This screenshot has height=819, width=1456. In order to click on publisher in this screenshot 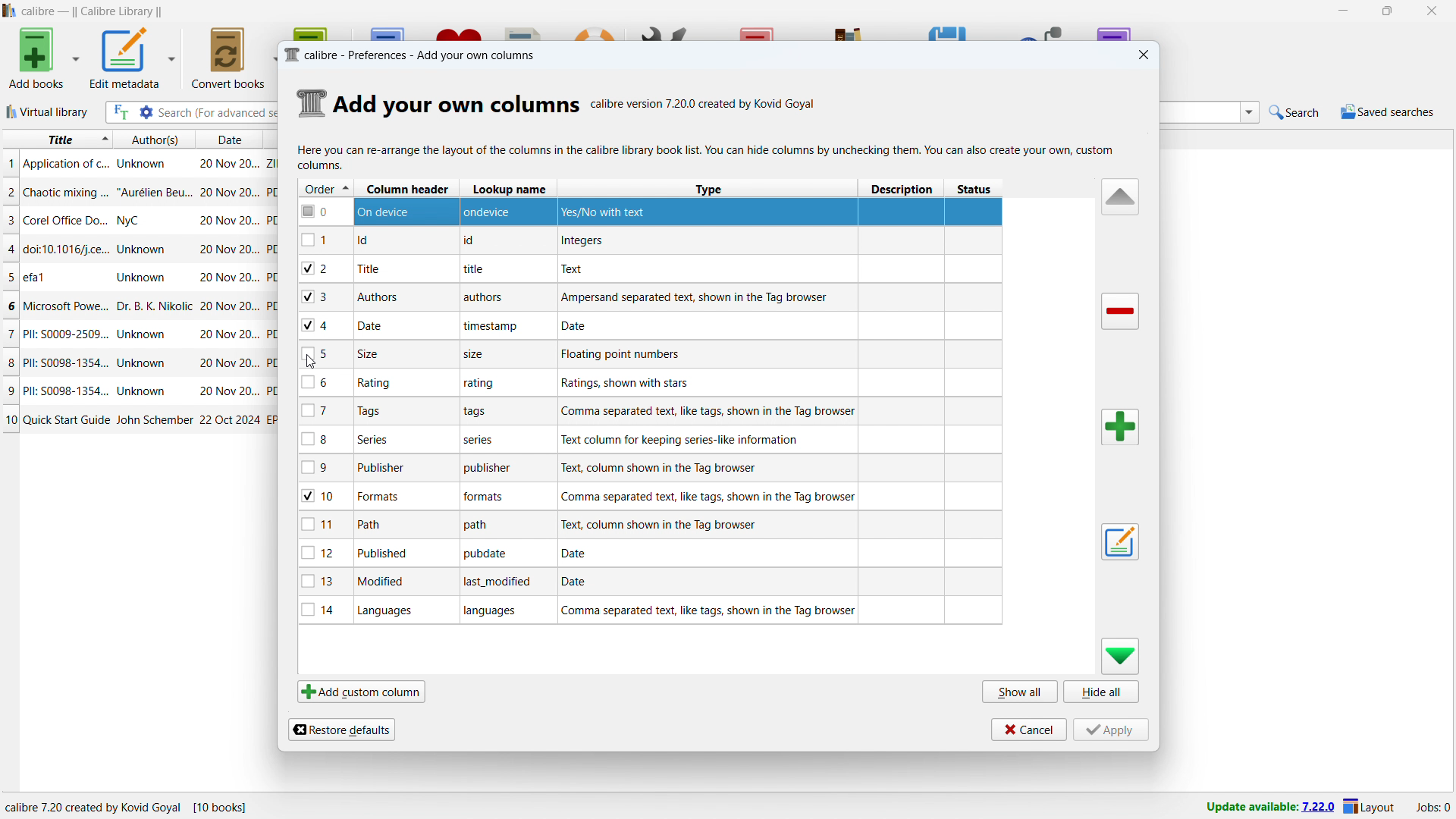, I will do `click(389, 469)`.